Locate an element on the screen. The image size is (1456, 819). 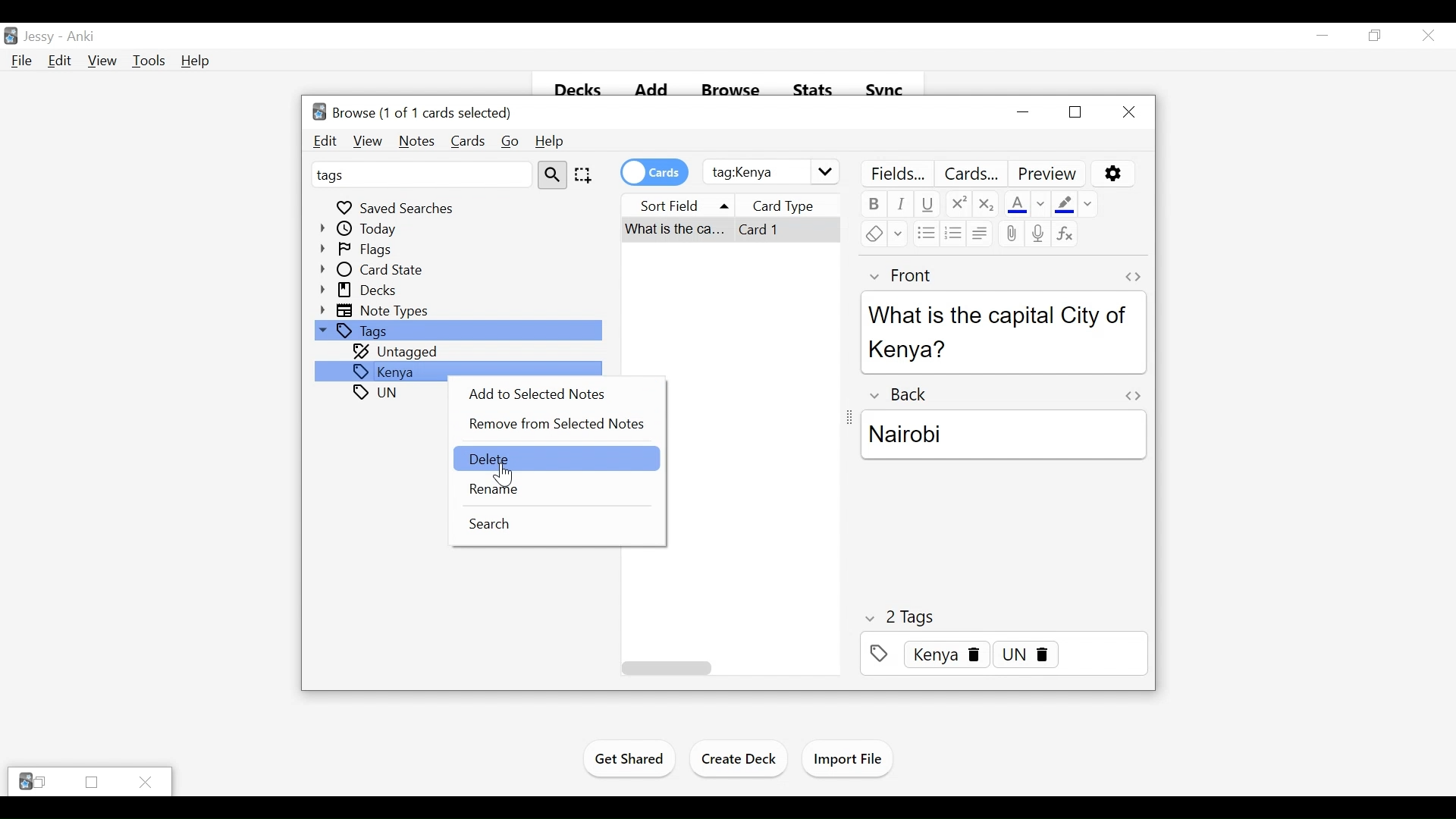
Number of Tags is located at coordinates (903, 618).